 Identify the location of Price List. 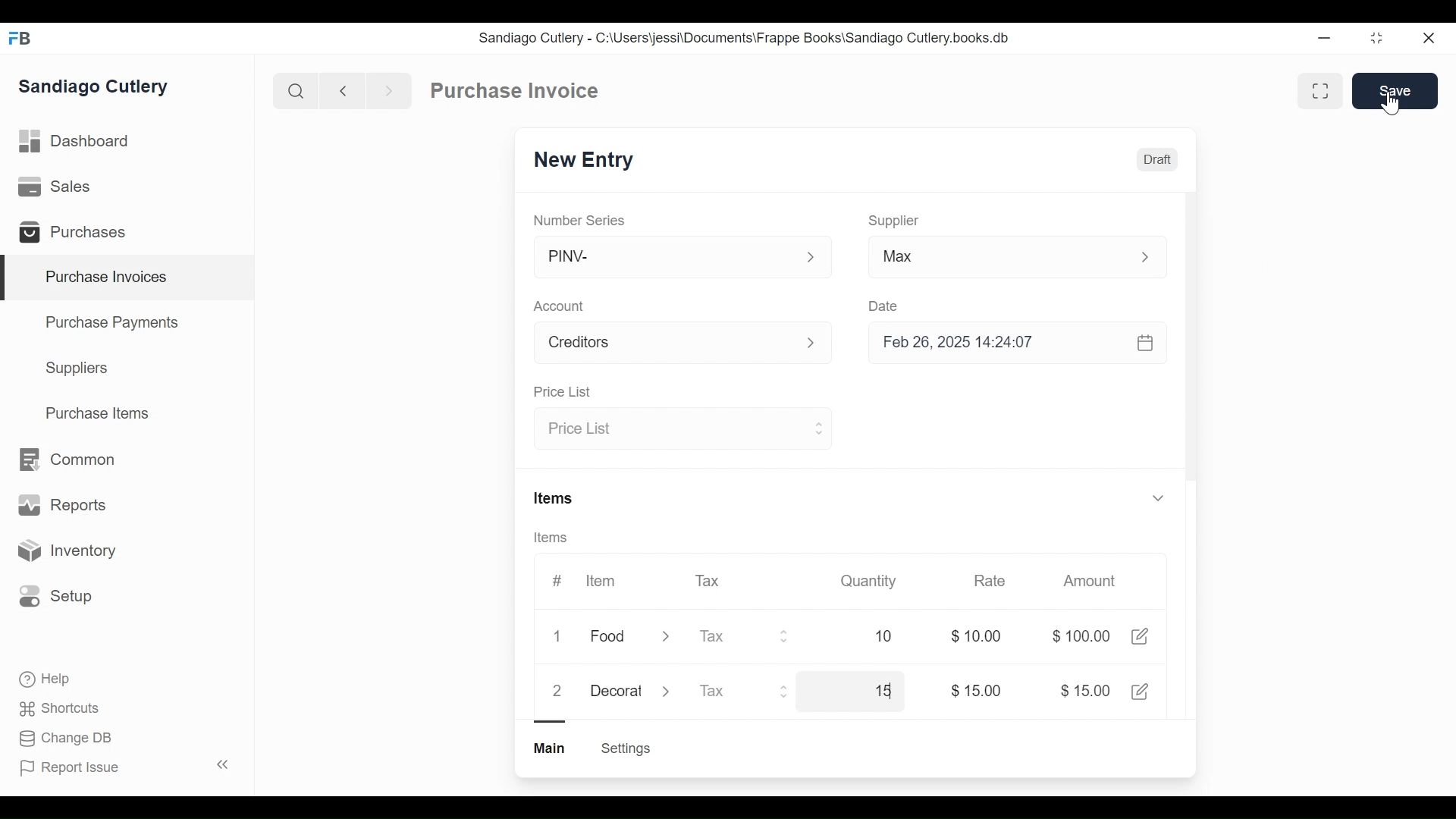
(669, 429).